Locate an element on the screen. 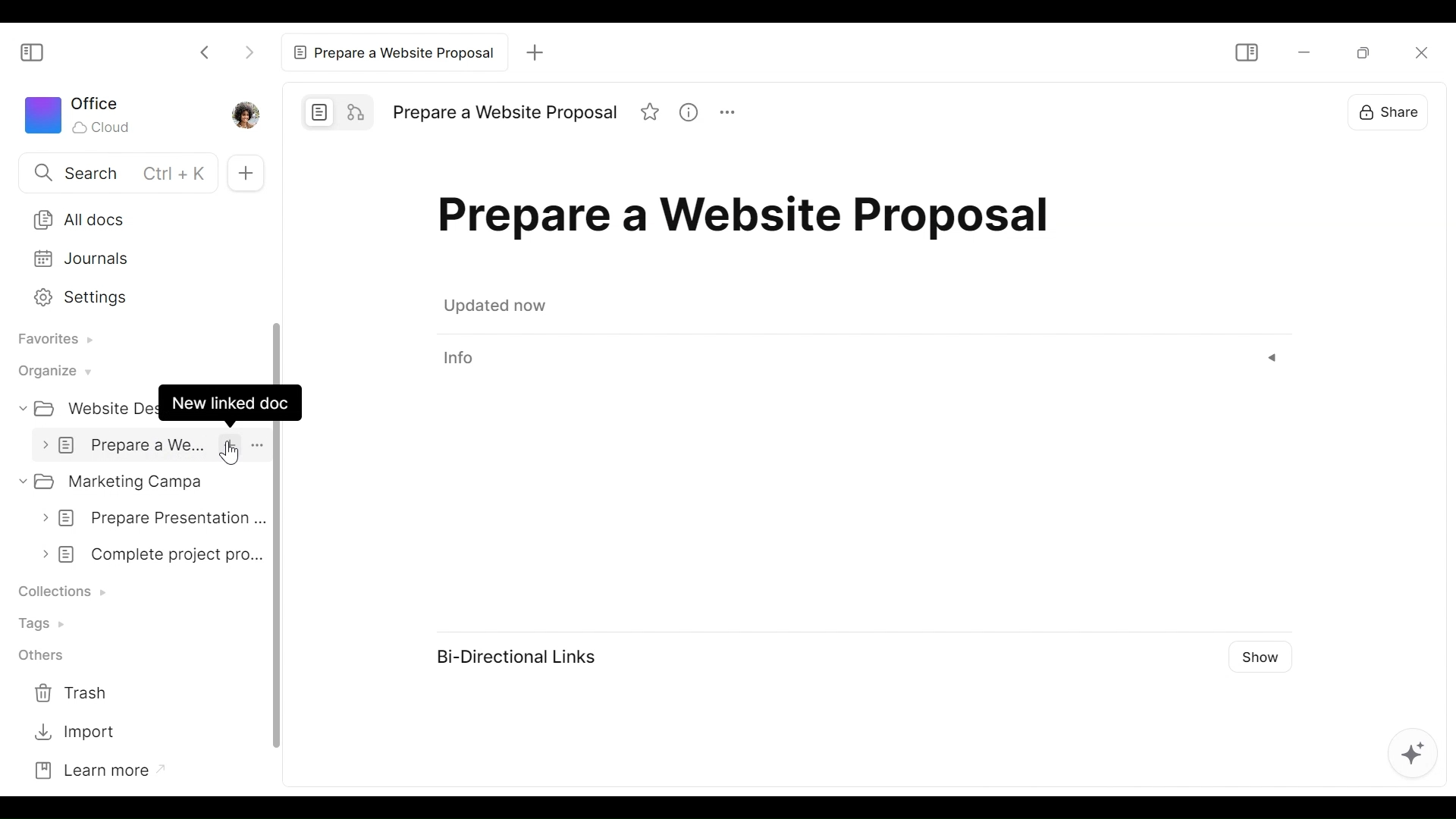 Image resolution: width=1456 pixels, height=819 pixels. Bi-Directional Links is located at coordinates (522, 658).